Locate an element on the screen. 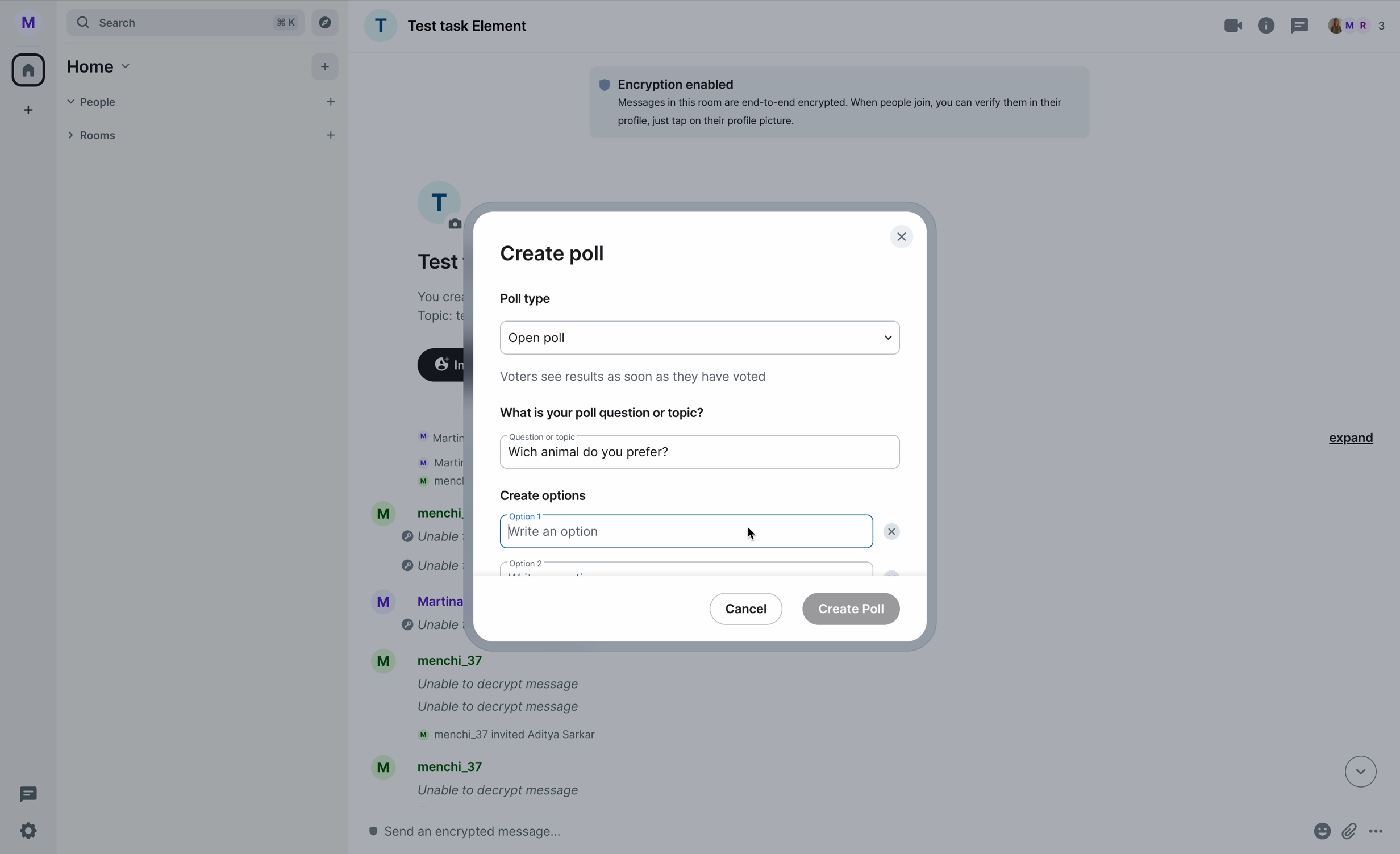 Image resolution: width=1400 pixels, height=854 pixels. information is located at coordinates (1267, 23).